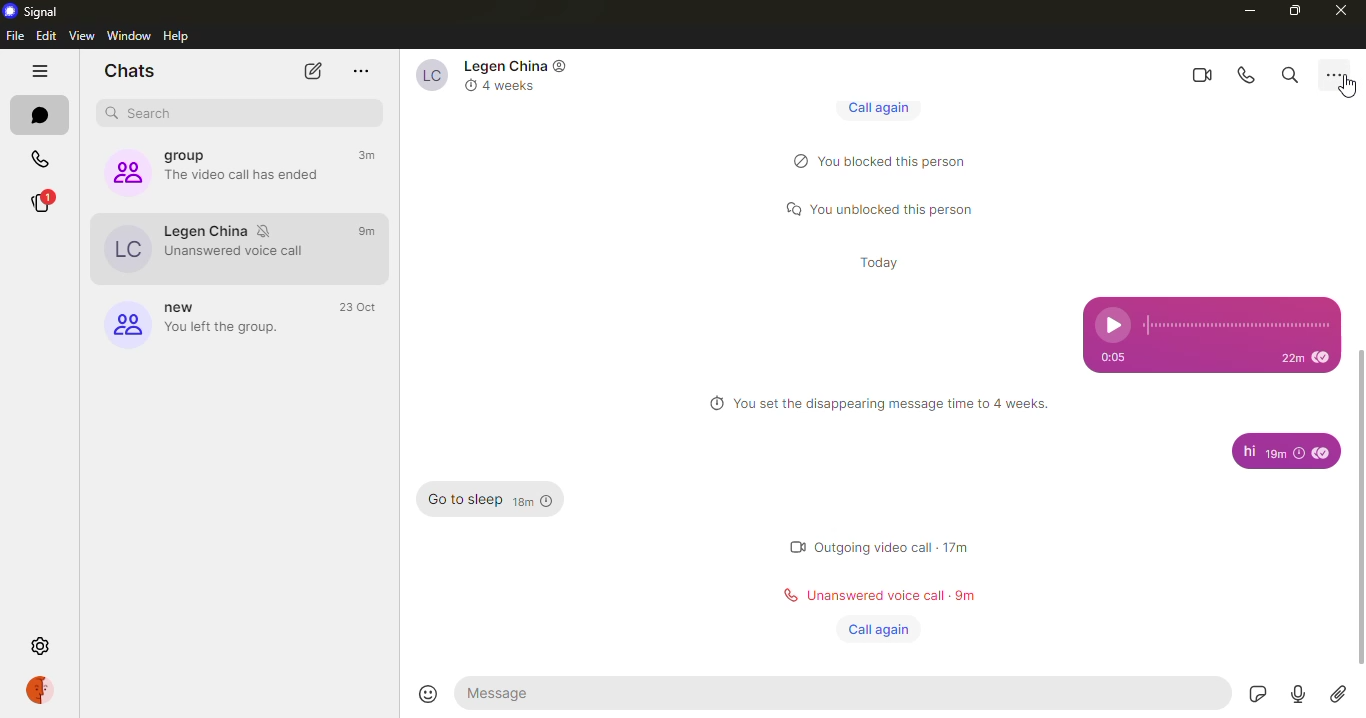 The image size is (1366, 718). Describe the element at coordinates (366, 228) in the screenshot. I see `time` at that location.